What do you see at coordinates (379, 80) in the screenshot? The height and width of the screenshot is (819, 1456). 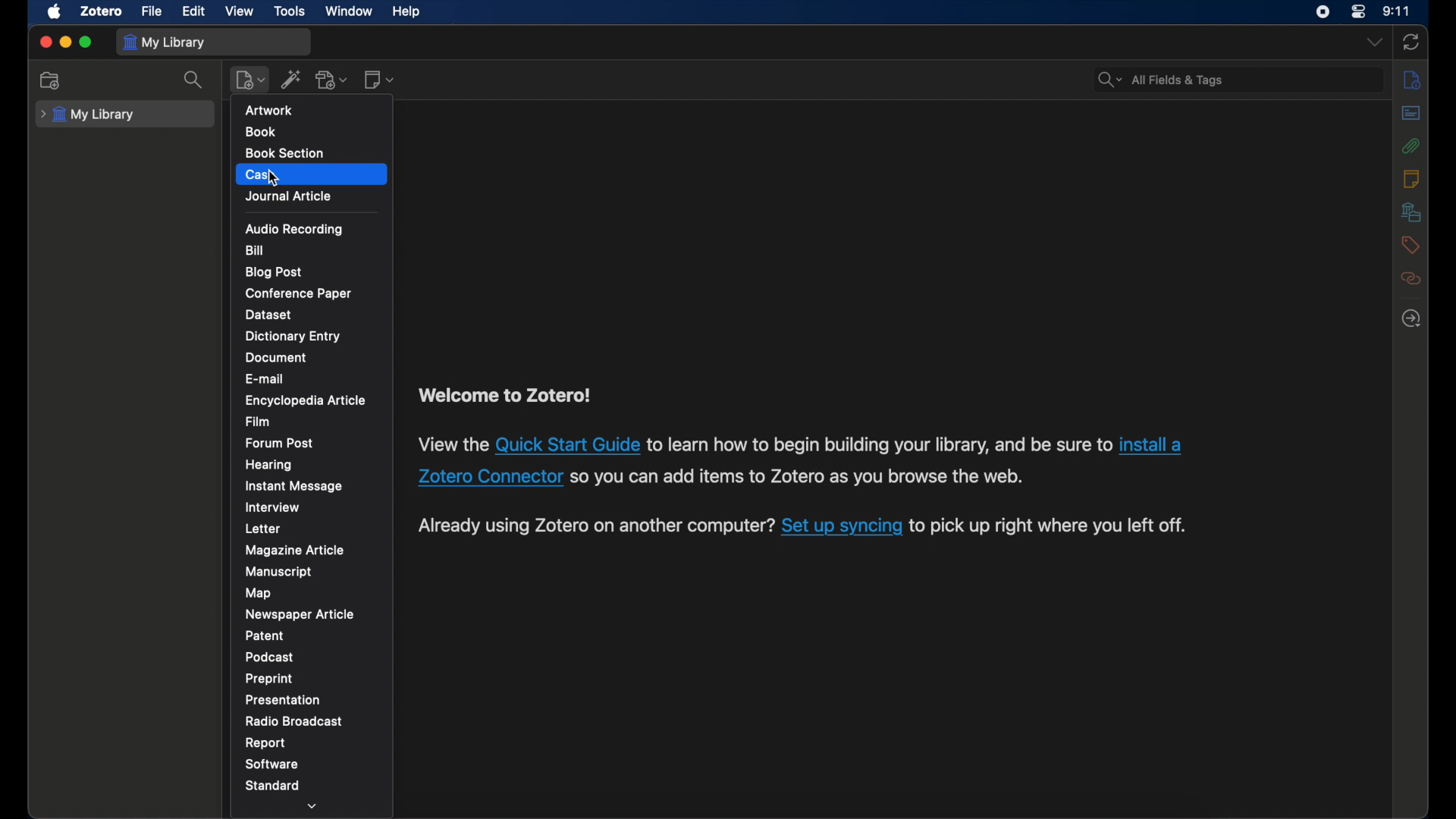 I see `new note` at bounding box center [379, 80].